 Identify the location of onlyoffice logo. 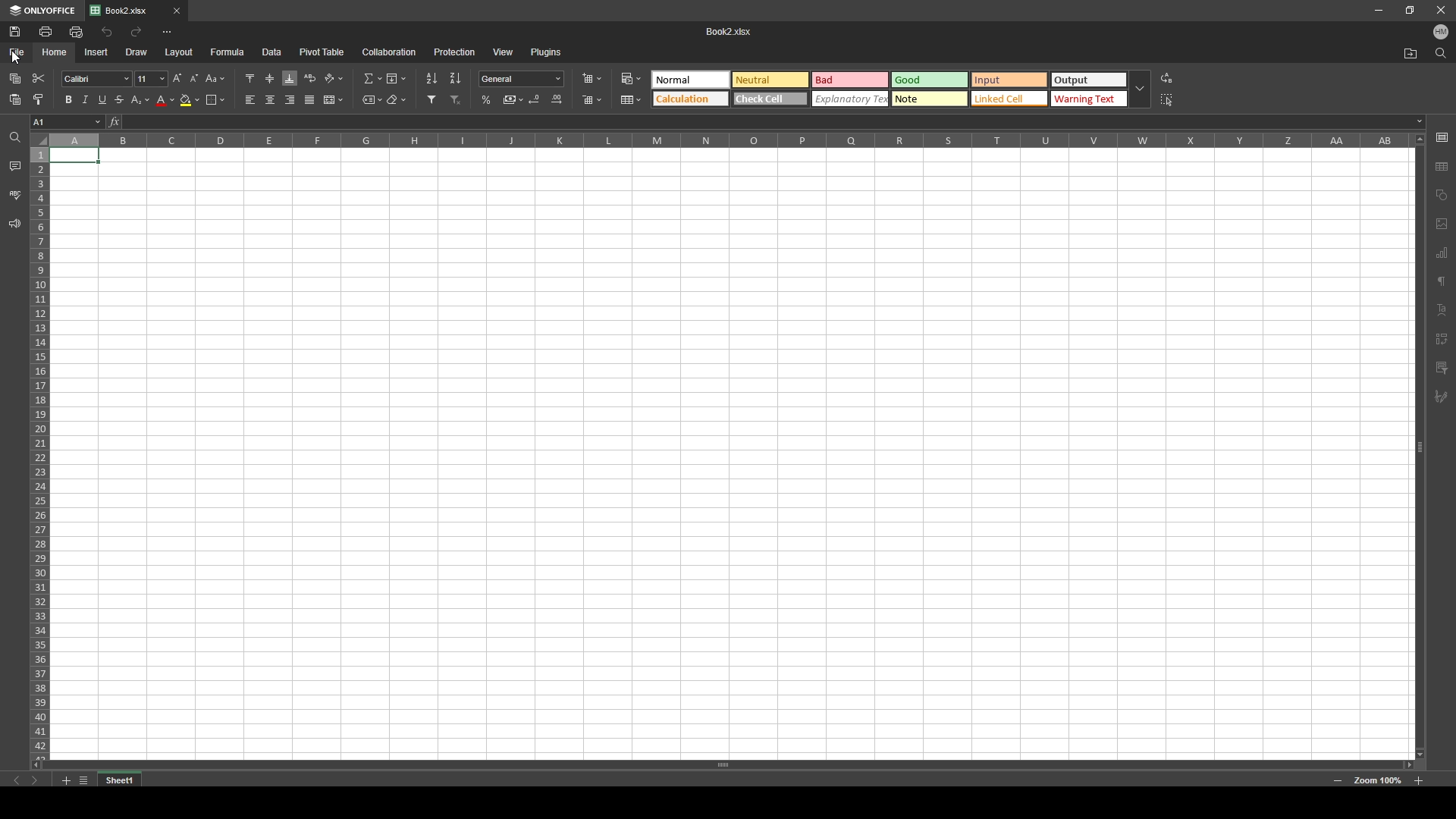
(11, 11).